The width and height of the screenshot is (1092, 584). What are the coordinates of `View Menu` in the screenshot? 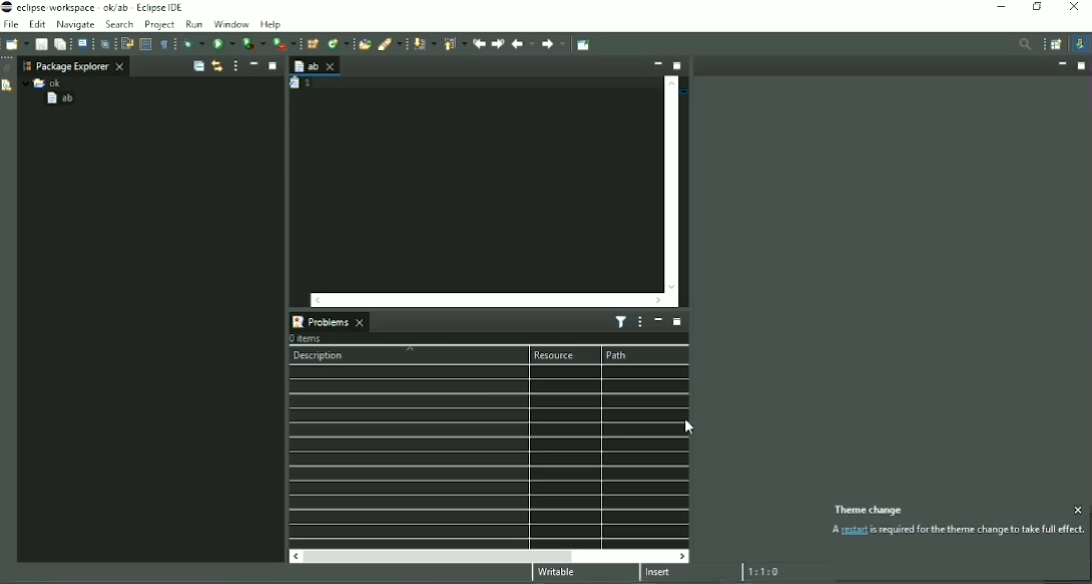 It's located at (236, 65).